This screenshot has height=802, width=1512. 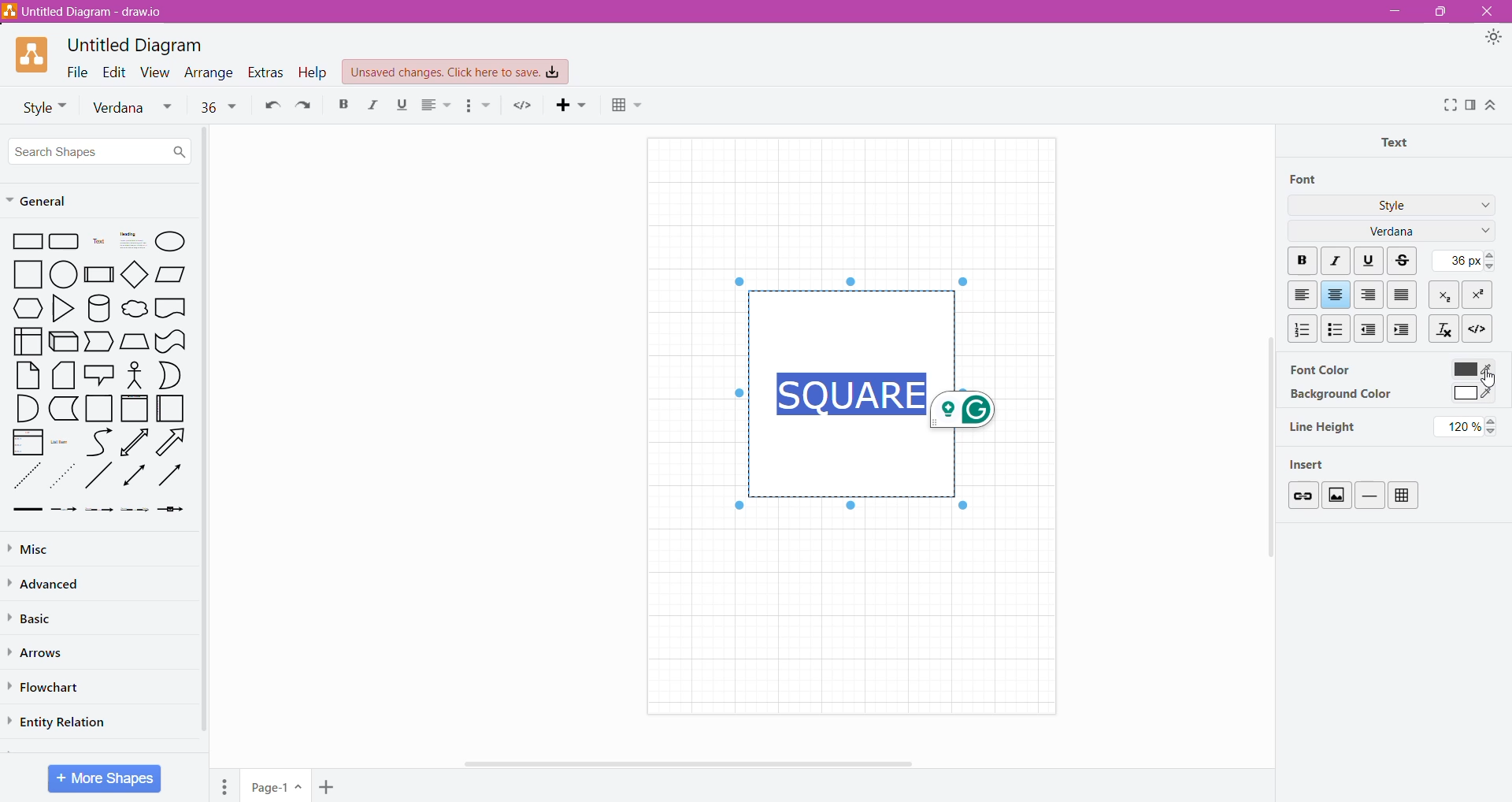 What do you see at coordinates (171, 375) in the screenshot?
I see `Half Circle ` at bounding box center [171, 375].